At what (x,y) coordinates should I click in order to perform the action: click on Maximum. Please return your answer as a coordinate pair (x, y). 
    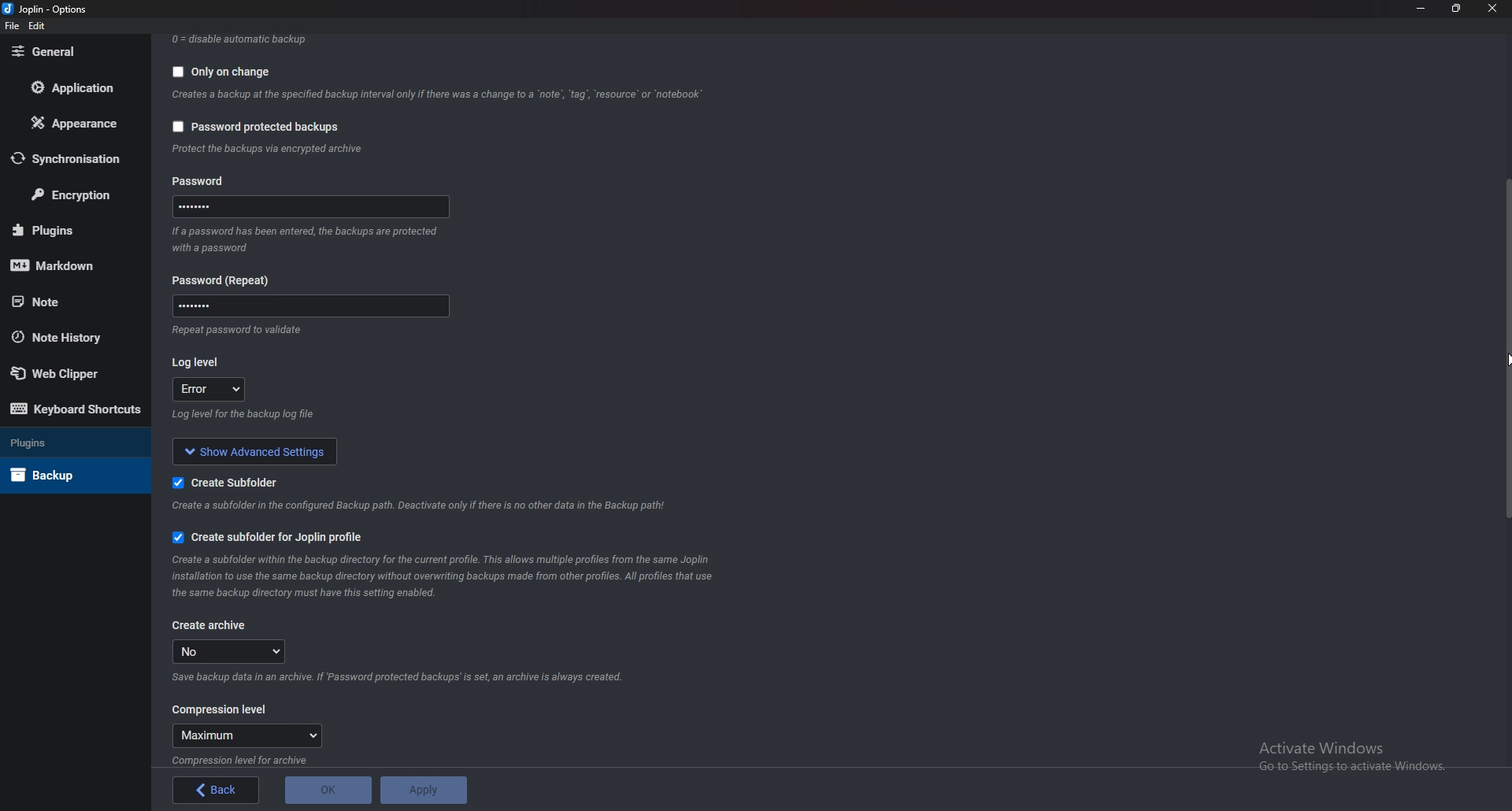
    Looking at the image, I should click on (250, 736).